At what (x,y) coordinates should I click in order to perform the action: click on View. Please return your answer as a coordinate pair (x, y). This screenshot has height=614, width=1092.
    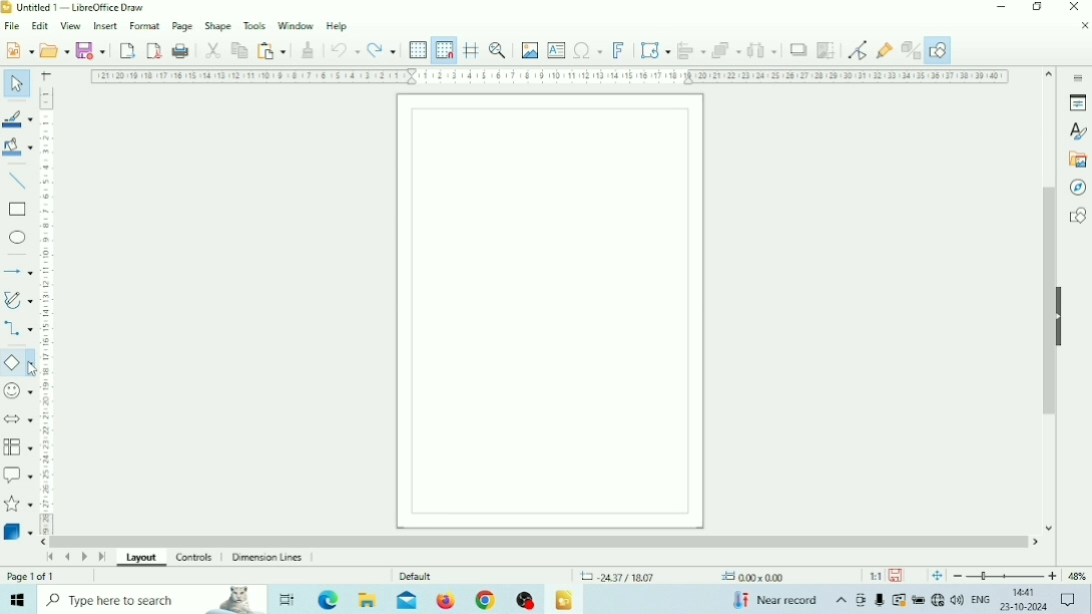
    Looking at the image, I should click on (72, 27).